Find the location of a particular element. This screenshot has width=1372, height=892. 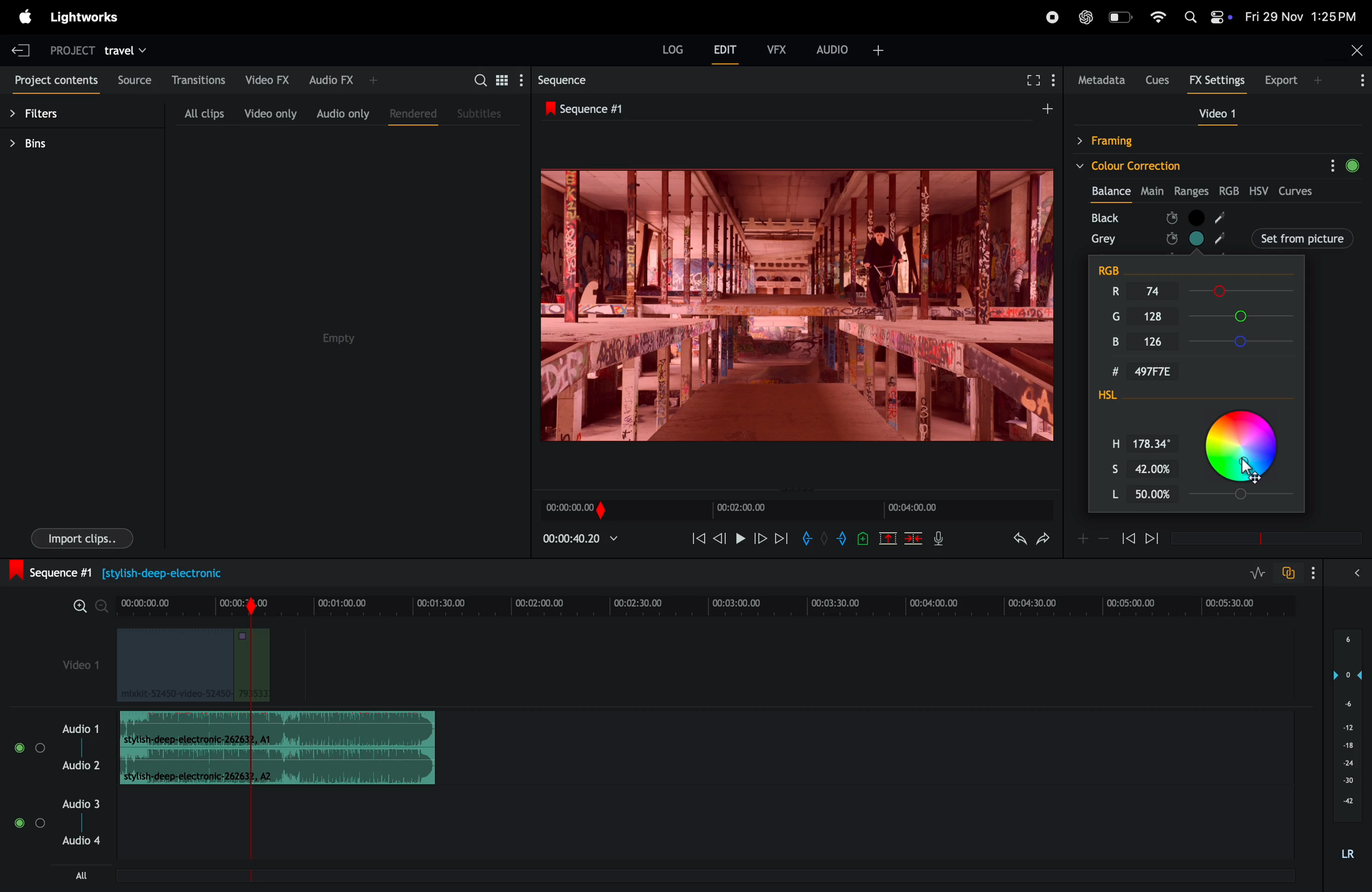

date and time is located at coordinates (1302, 16).